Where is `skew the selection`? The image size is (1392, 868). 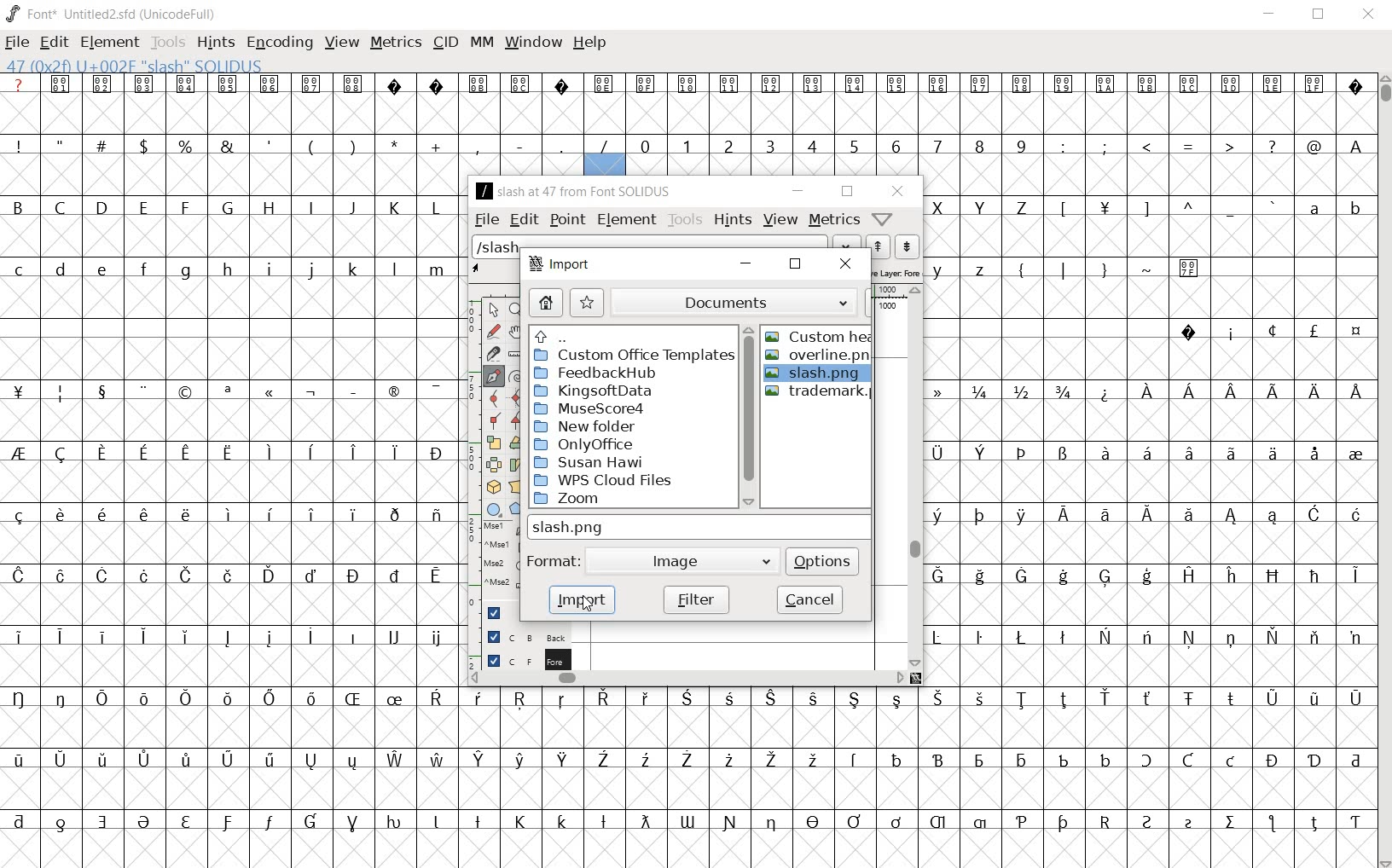
skew the selection is located at coordinates (516, 465).